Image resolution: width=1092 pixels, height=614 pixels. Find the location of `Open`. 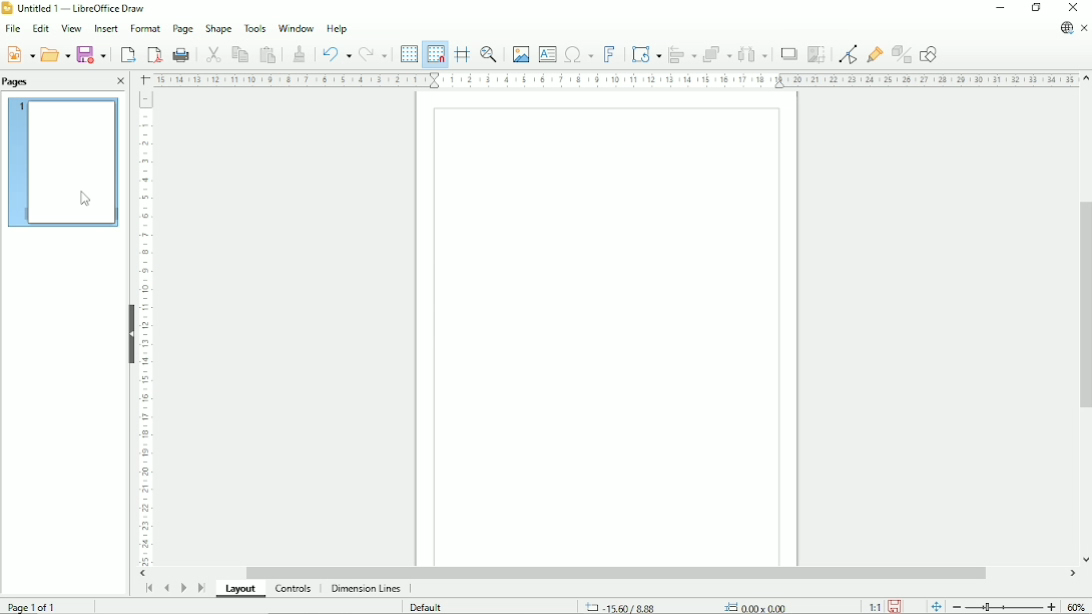

Open is located at coordinates (55, 53).